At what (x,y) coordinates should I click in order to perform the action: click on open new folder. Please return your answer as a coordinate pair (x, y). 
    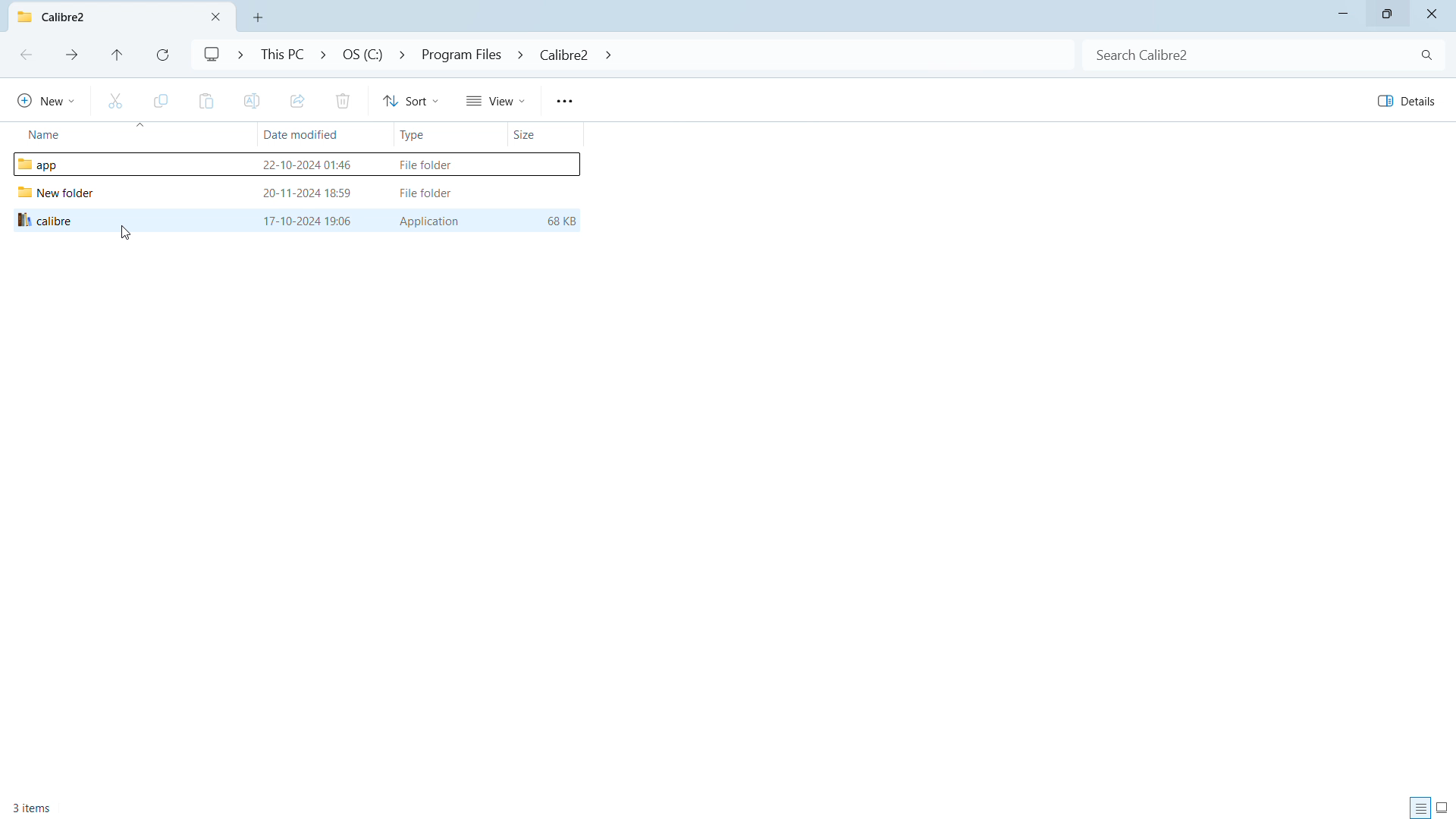
    Looking at the image, I should click on (257, 17).